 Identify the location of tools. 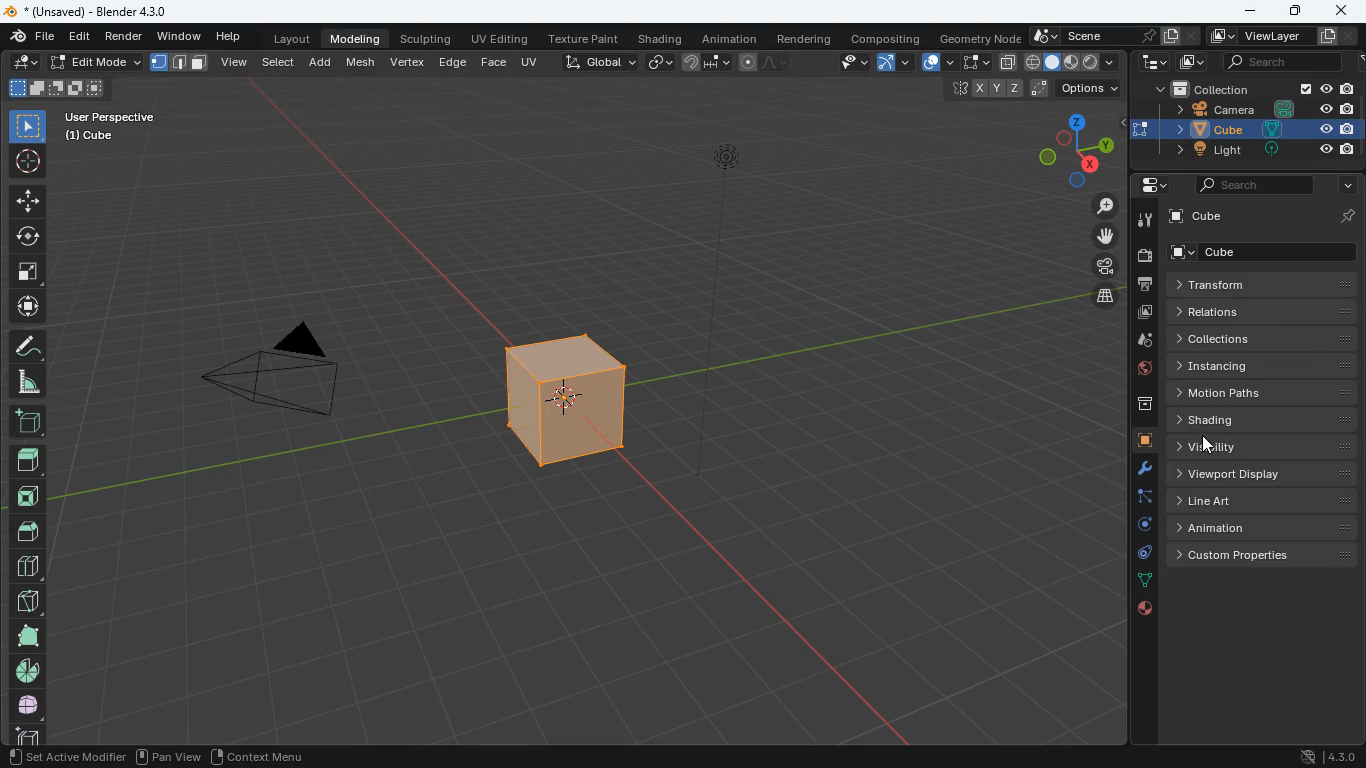
(1135, 469).